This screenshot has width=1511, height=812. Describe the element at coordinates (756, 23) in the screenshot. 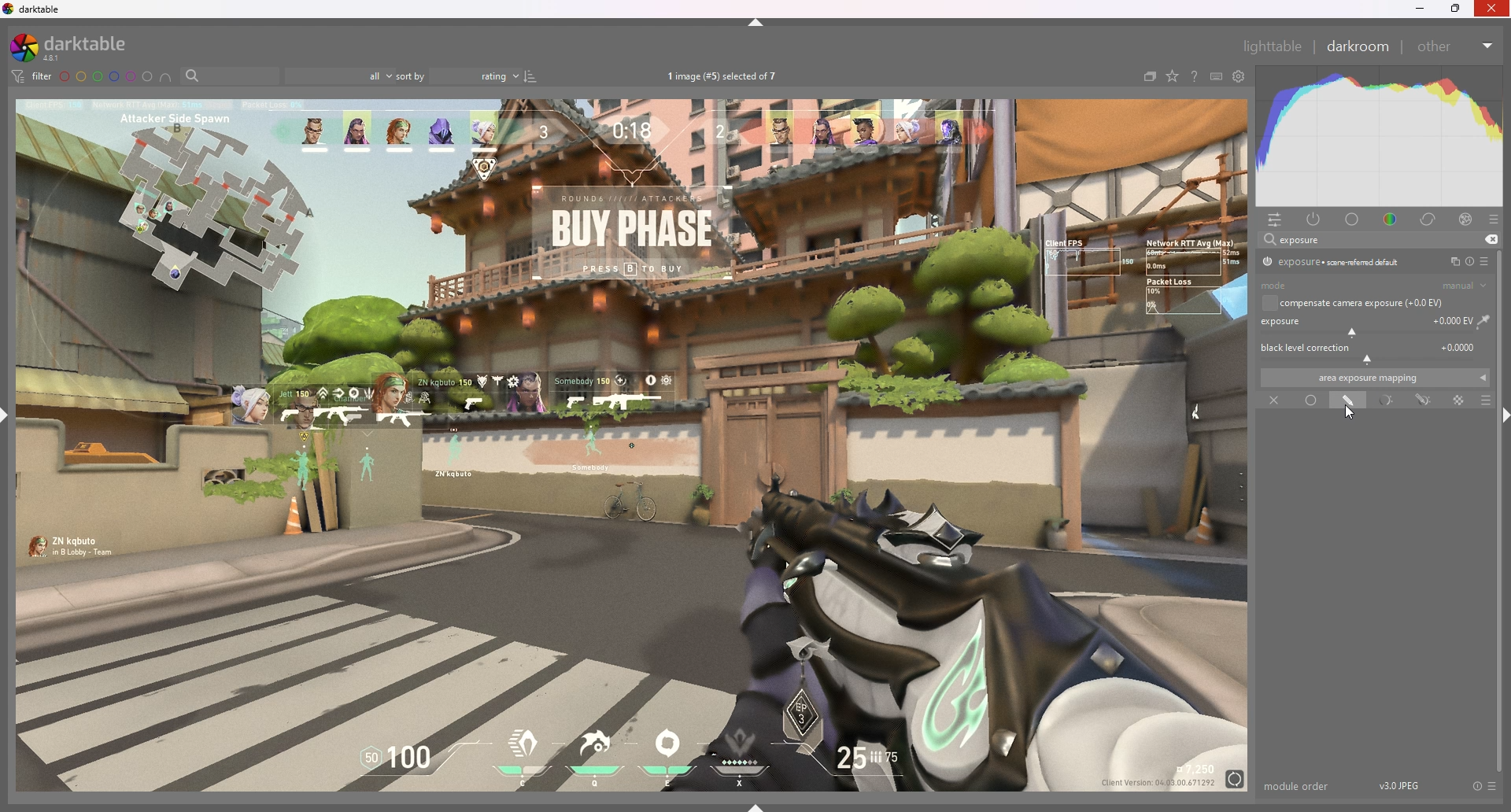

I see `hide` at that location.